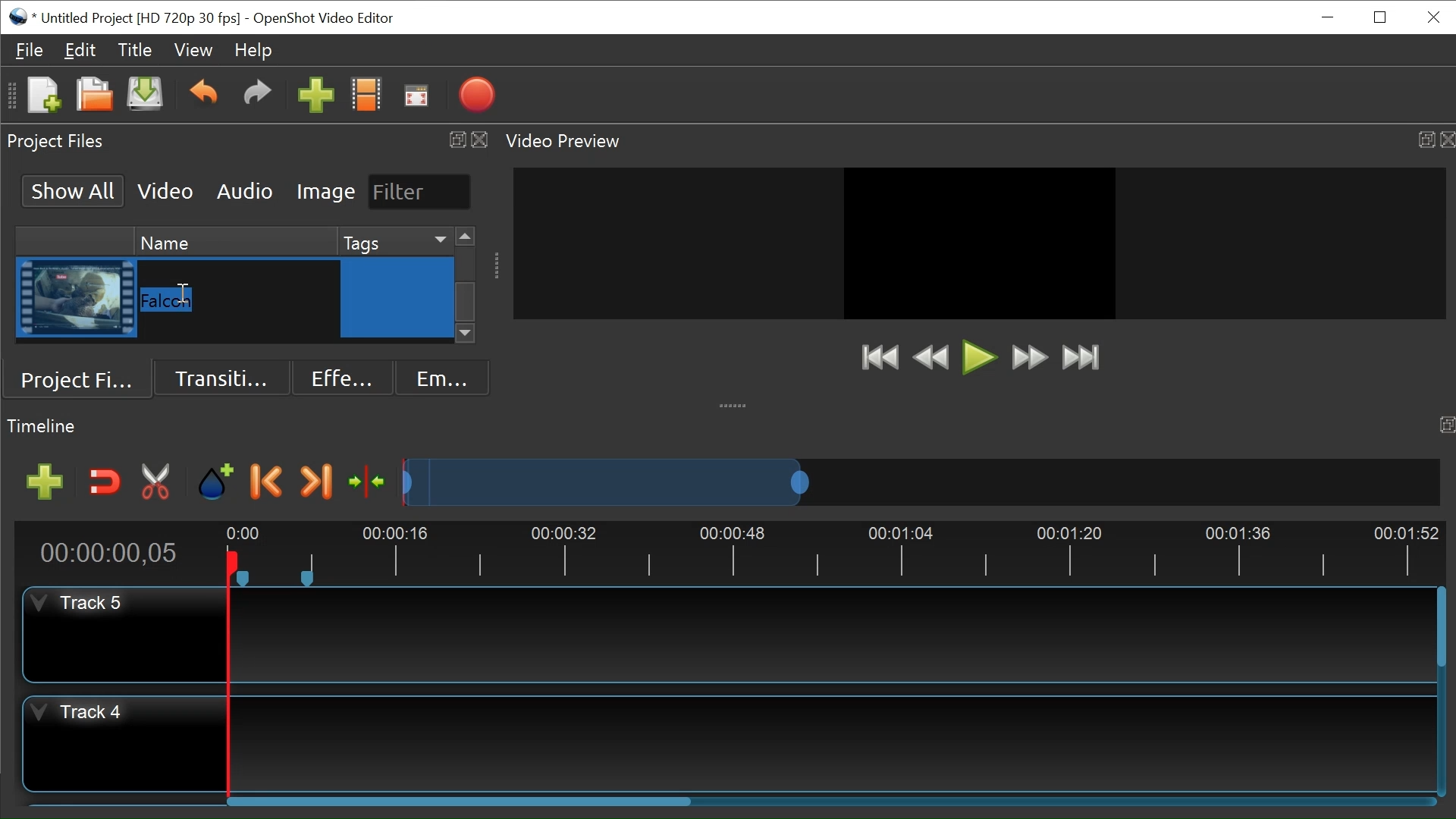 The image size is (1456, 819). I want to click on Snap, so click(102, 483).